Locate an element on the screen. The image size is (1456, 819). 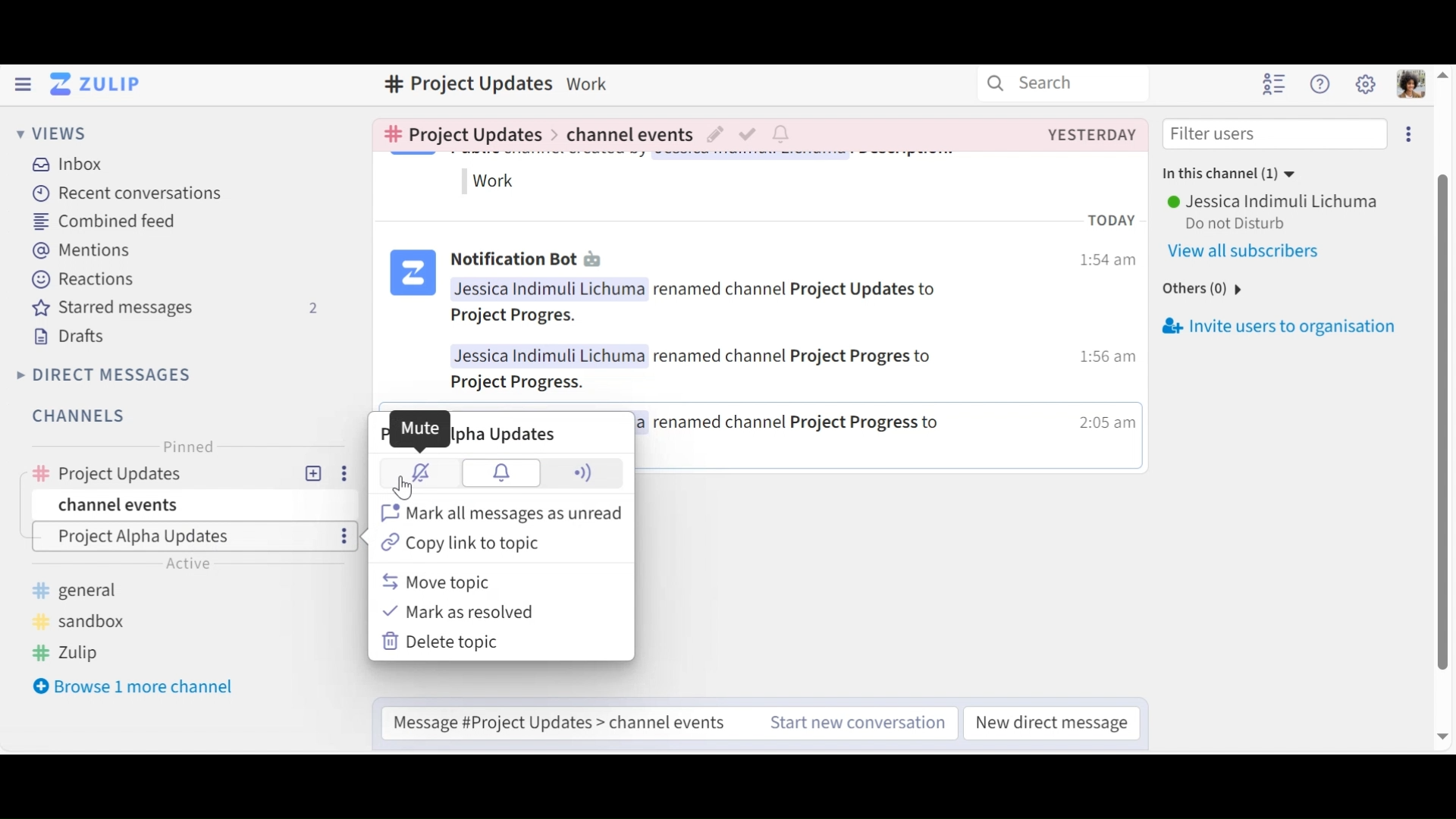
logo is located at coordinates (413, 275).